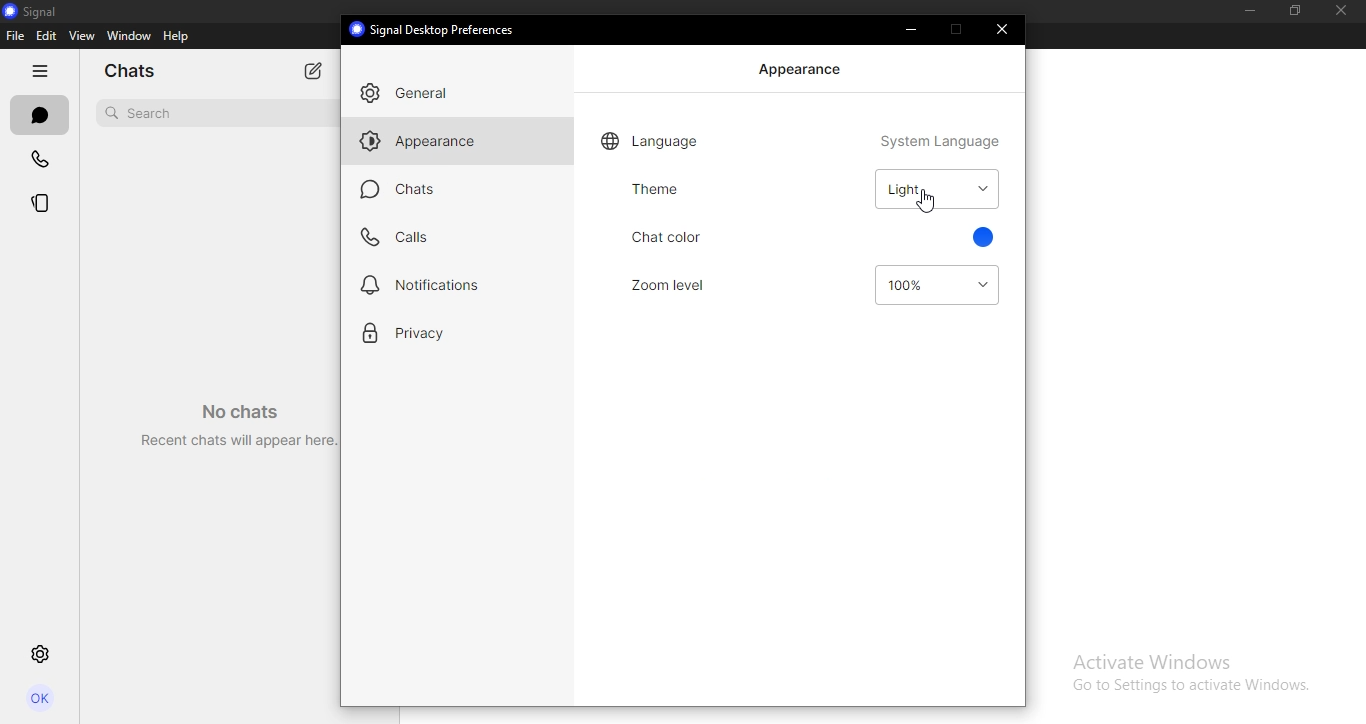 This screenshot has width=1366, height=724. What do you see at coordinates (426, 284) in the screenshot?
I see `notifications` at bounding box center [426, 284].